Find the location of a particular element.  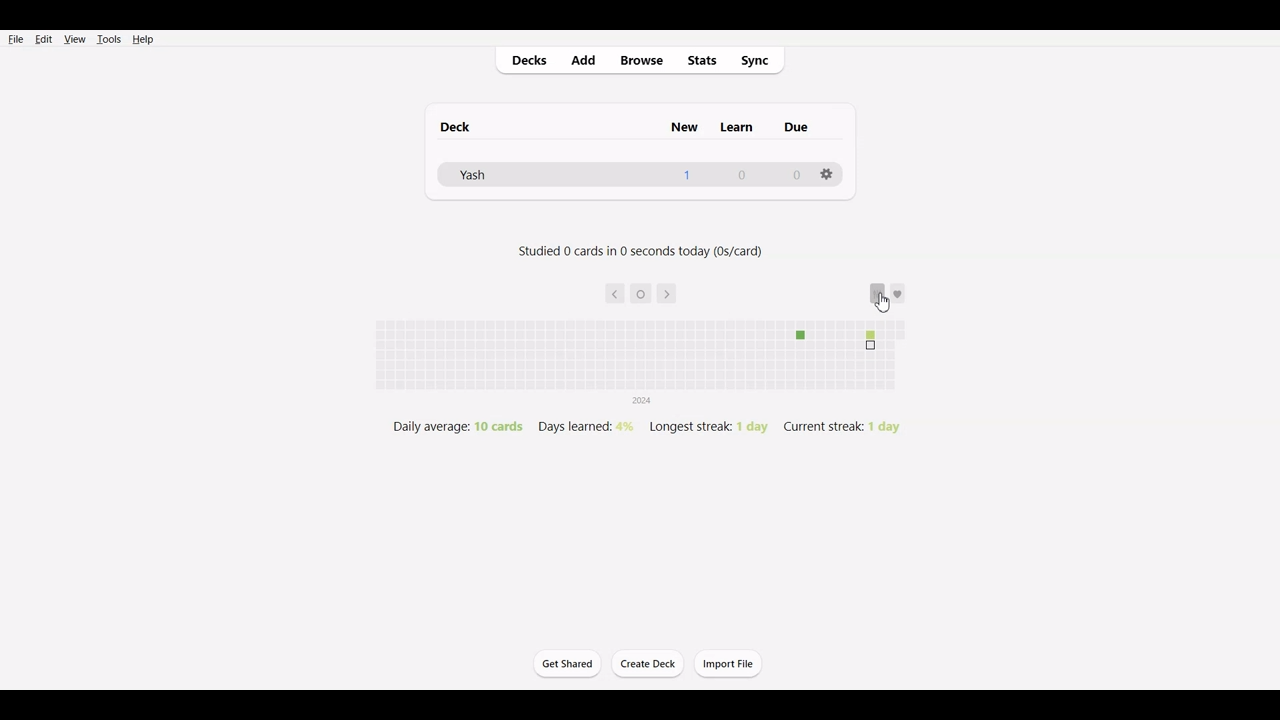

new is located at coordinates (683, 118).